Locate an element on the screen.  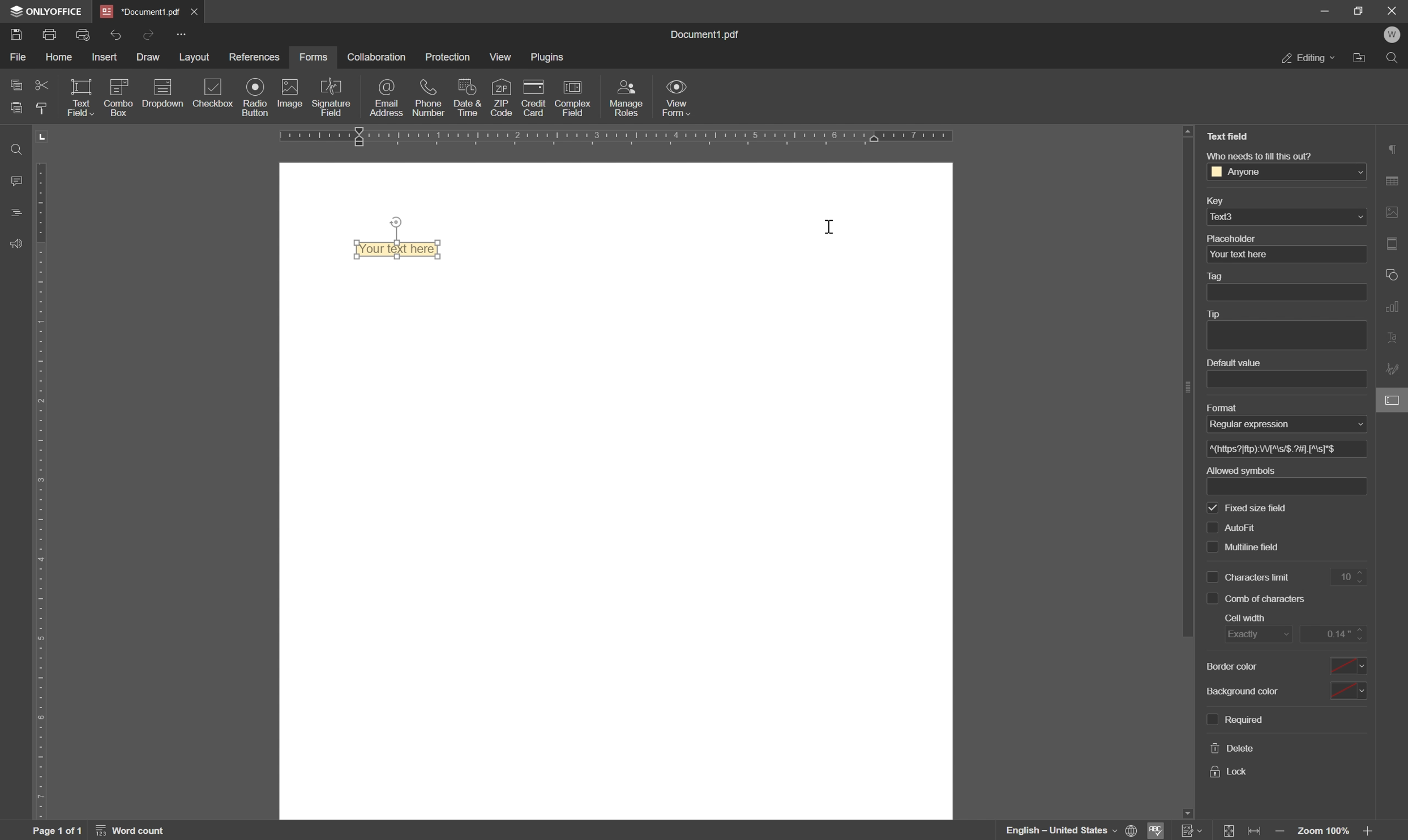
text field is located at coordinates (80, 97).